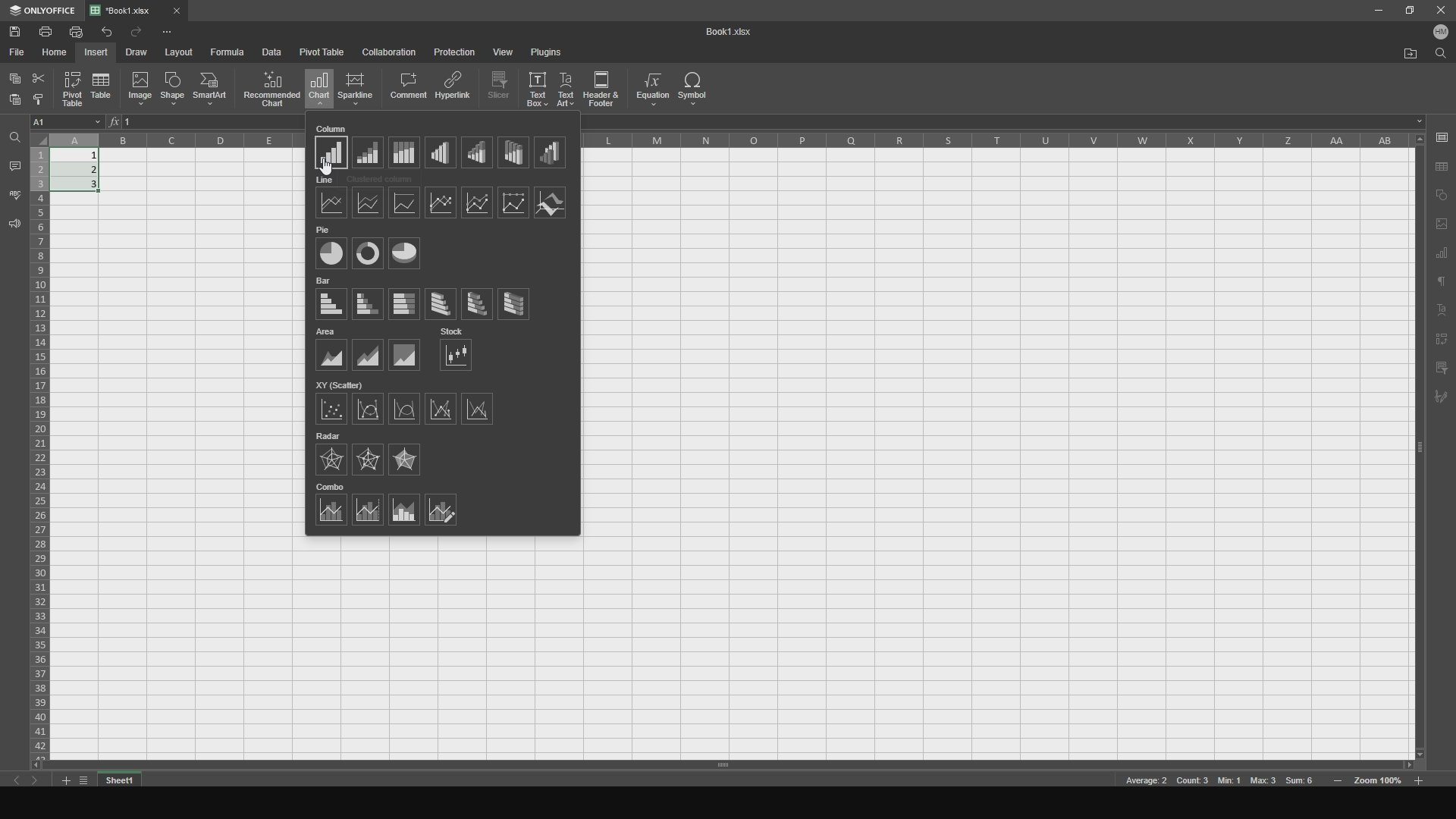 Image resolution: width=1456 pixels, height=819 pixels. What do you see at coordinates (1439, 11) in the screenshot?
I see `close` at bounding box center [1439, 11].